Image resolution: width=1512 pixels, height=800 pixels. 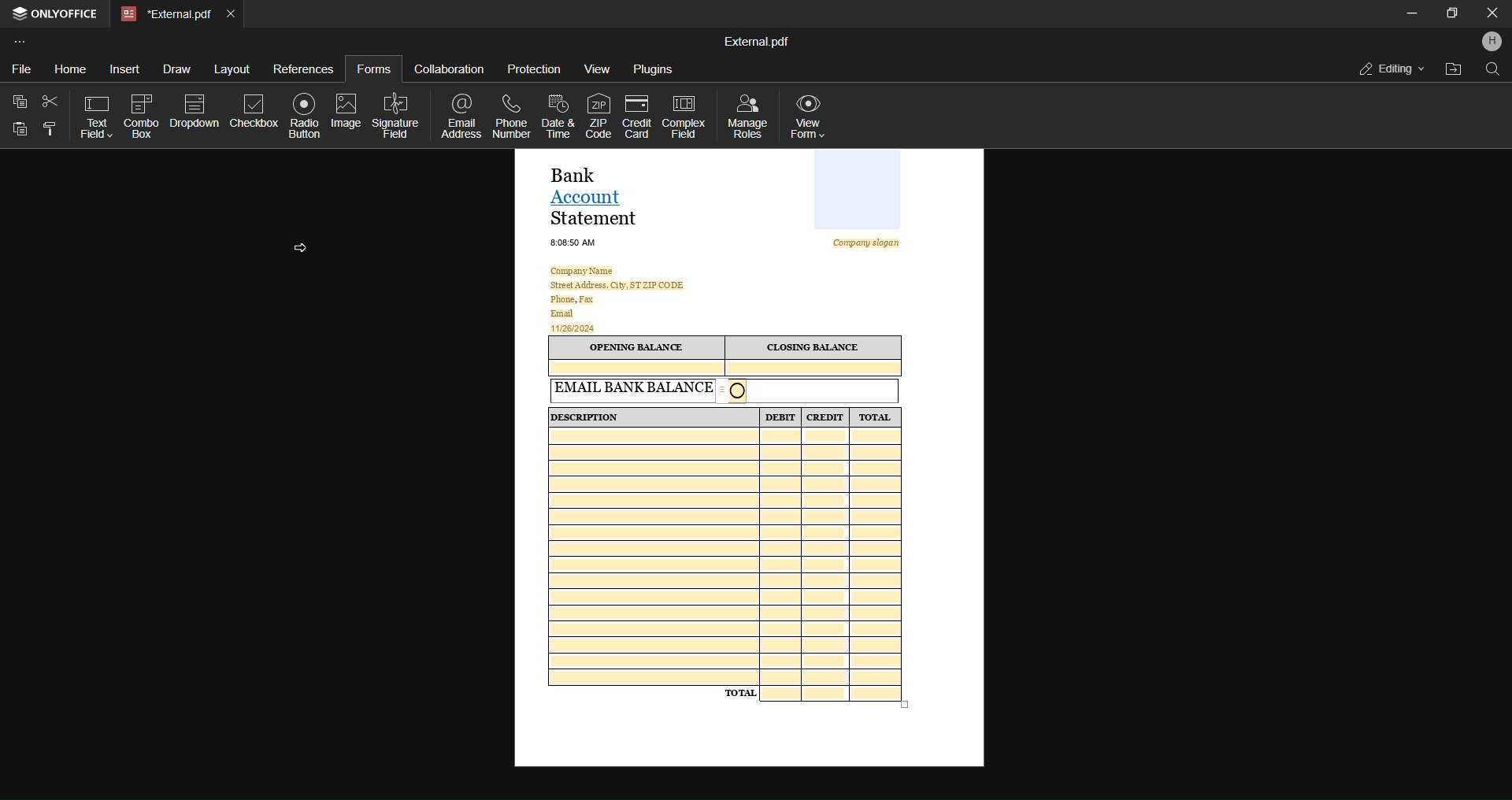 What do you see at coordinates (24, 130) in the screenshot?
I see `paste` at bounding box center [24, 130].